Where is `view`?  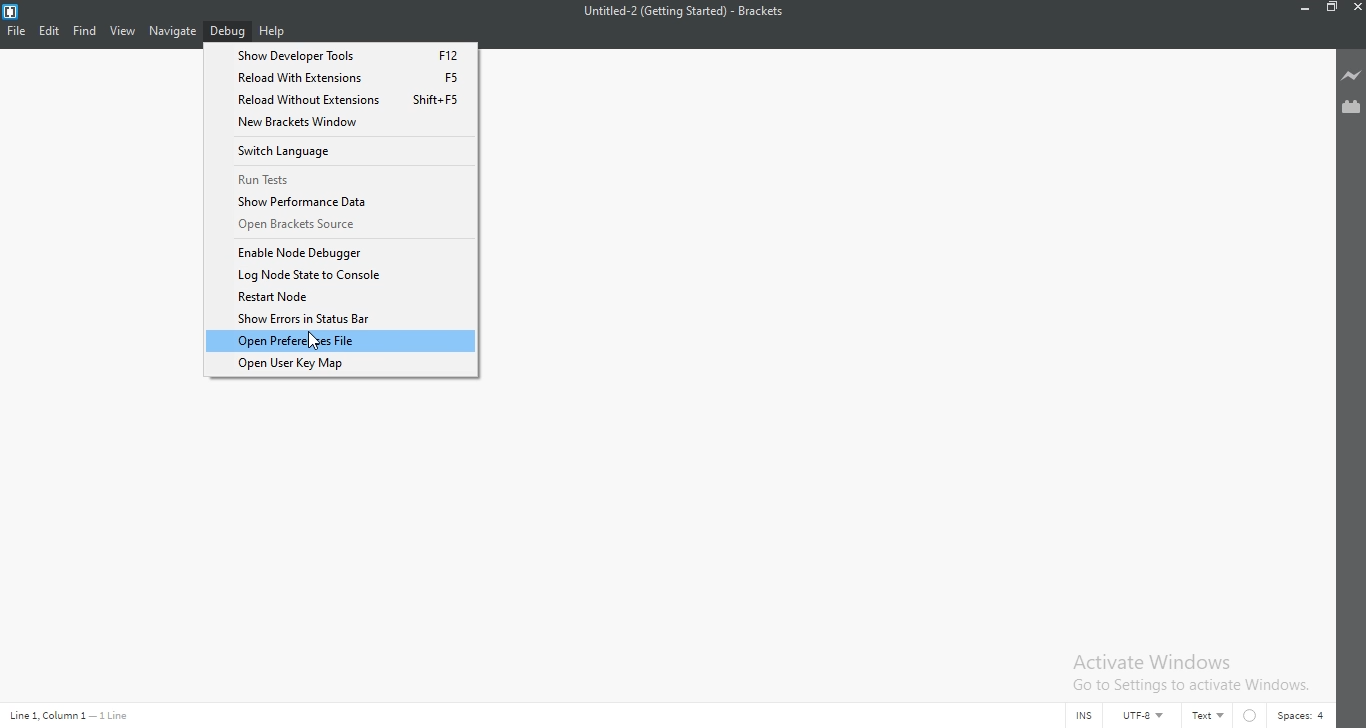
view is located at coordinates (122, 31).